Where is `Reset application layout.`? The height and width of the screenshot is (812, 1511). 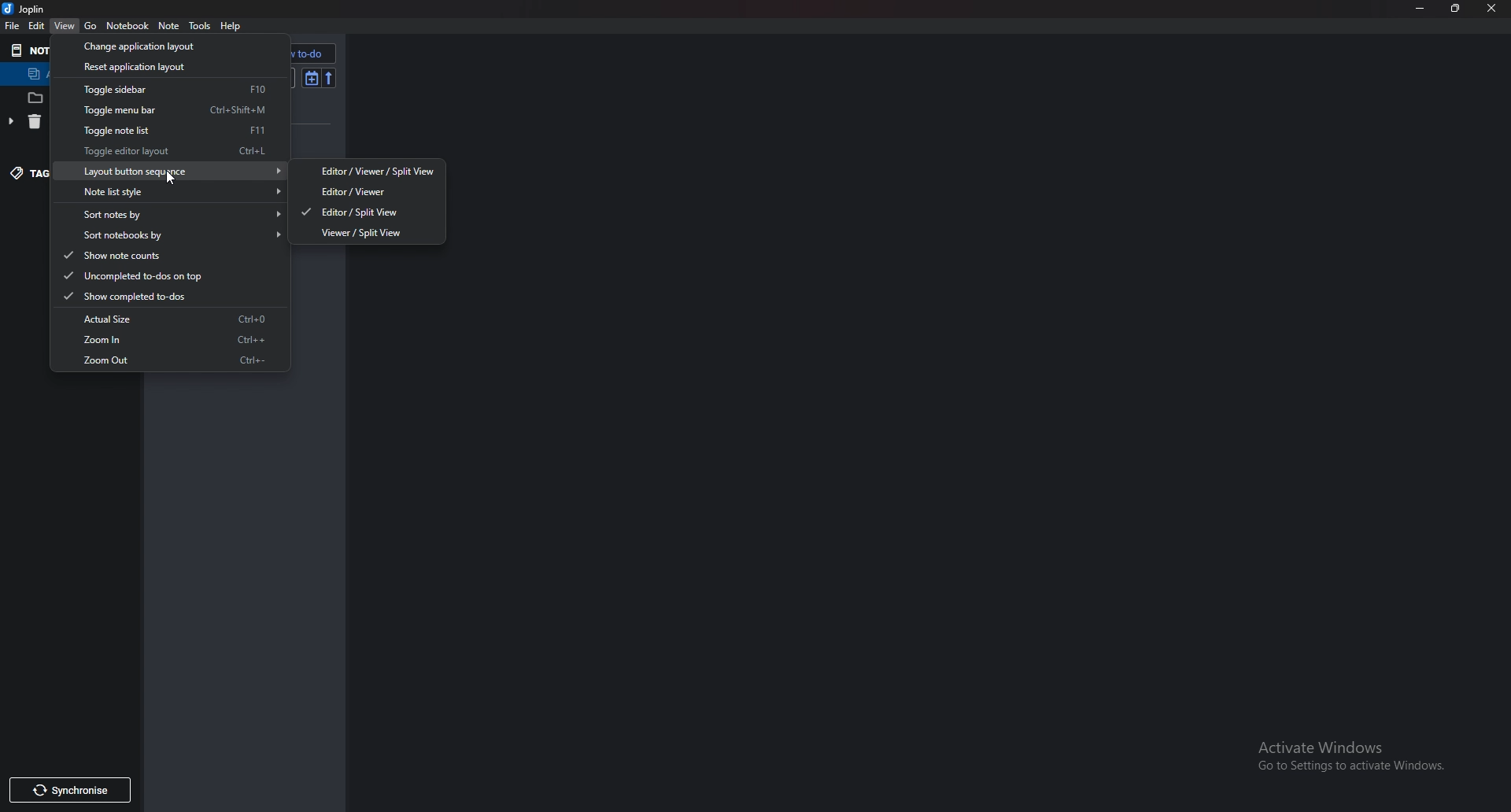
Reset application layout. is located at coordinates (130, 69).